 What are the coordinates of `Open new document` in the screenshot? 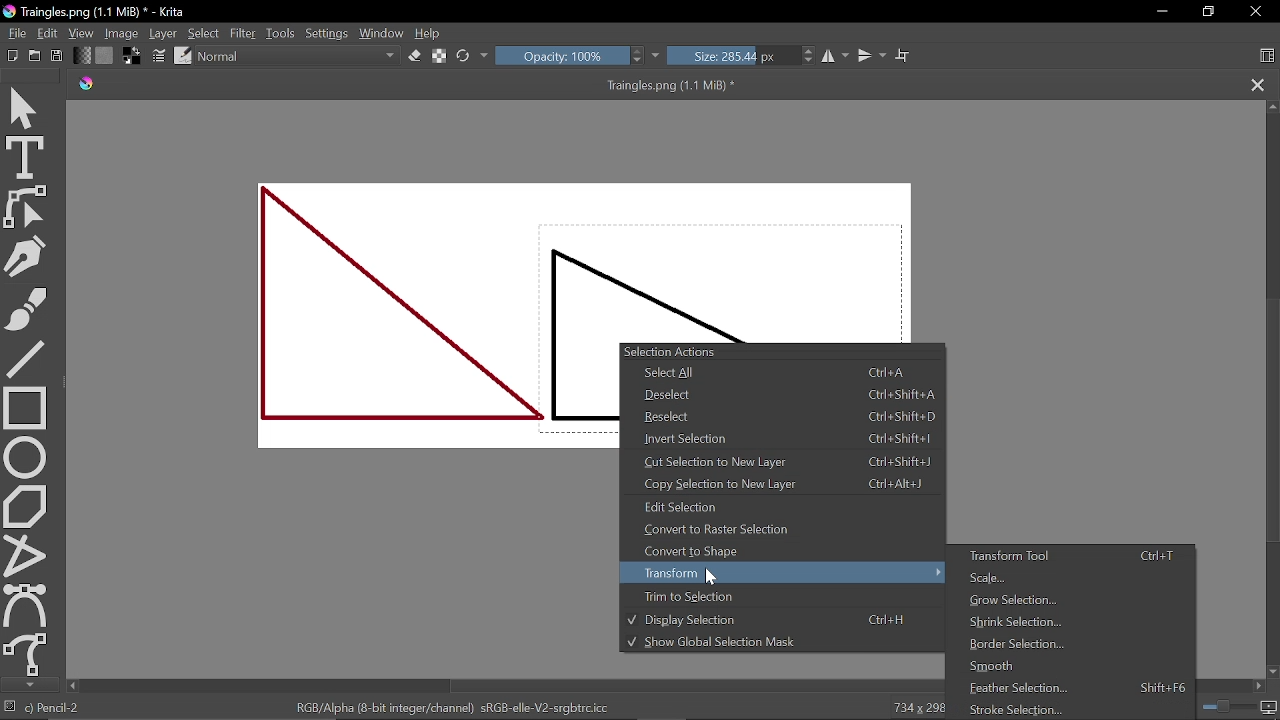 It's located at (13, 56).